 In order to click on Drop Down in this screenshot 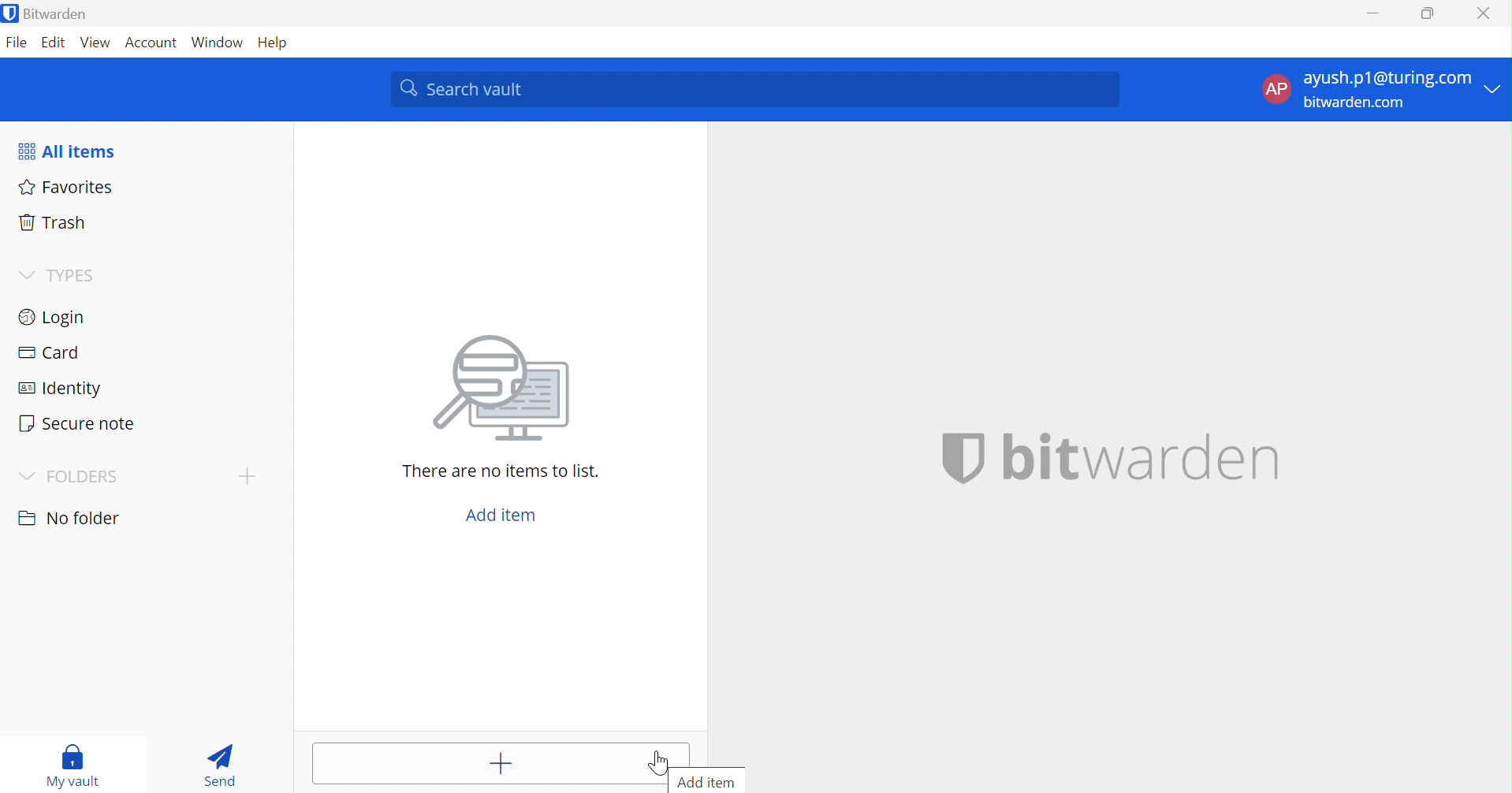, I will do `click(1496, 87)`.